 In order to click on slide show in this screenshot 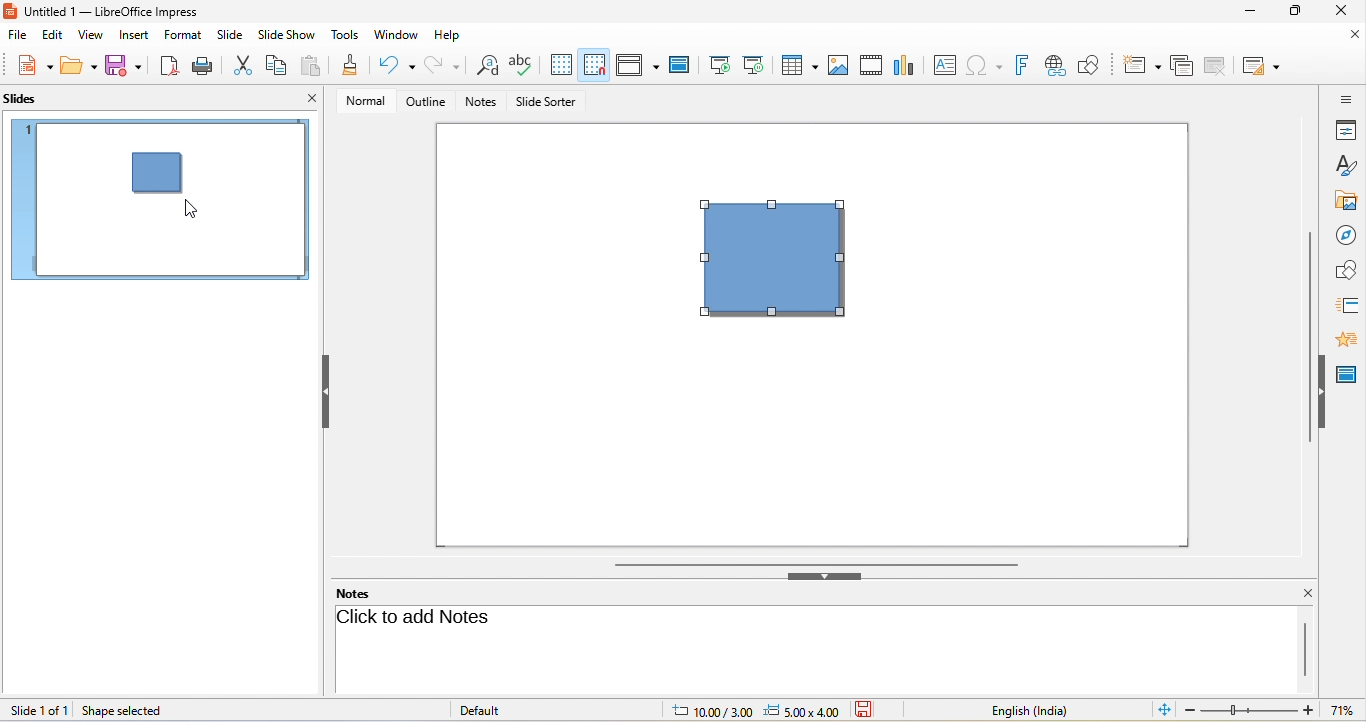, I will do `click(287, 35)`.